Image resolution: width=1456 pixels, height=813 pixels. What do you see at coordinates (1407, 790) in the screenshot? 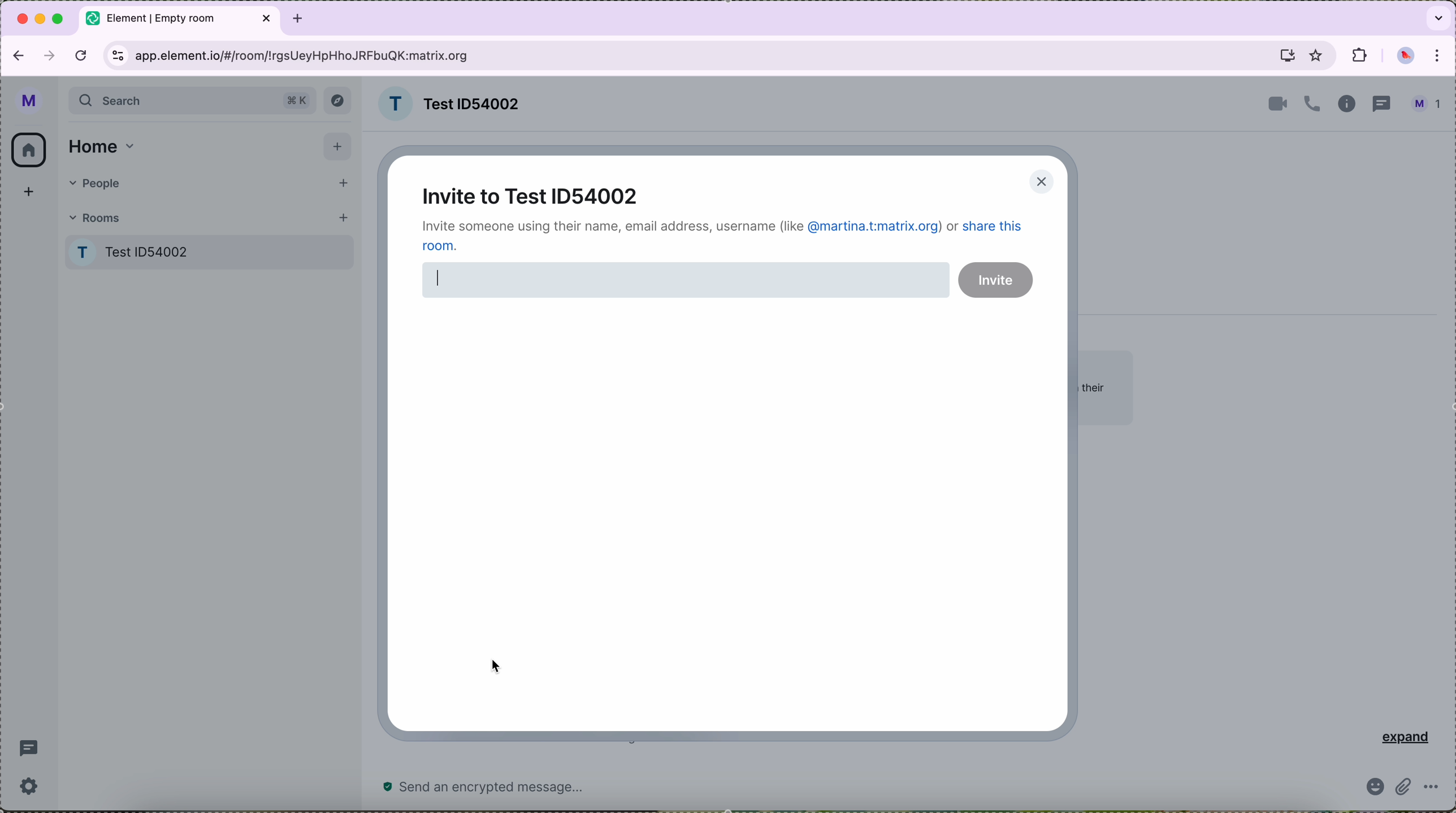
I see `attach file` at bounding box center [1407, 790].